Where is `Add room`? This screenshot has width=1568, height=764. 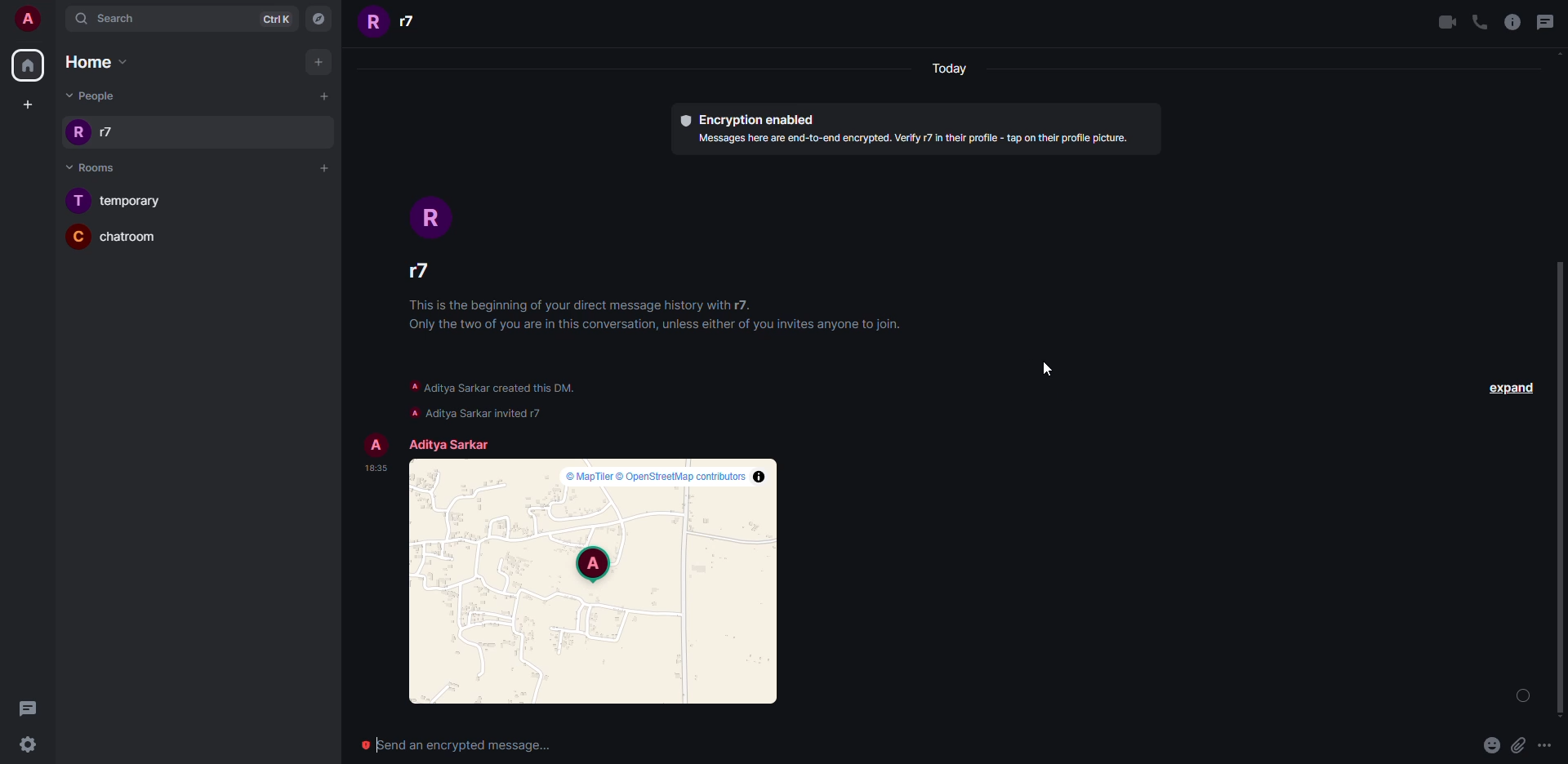
Add room is located at coordinates (320, 167).